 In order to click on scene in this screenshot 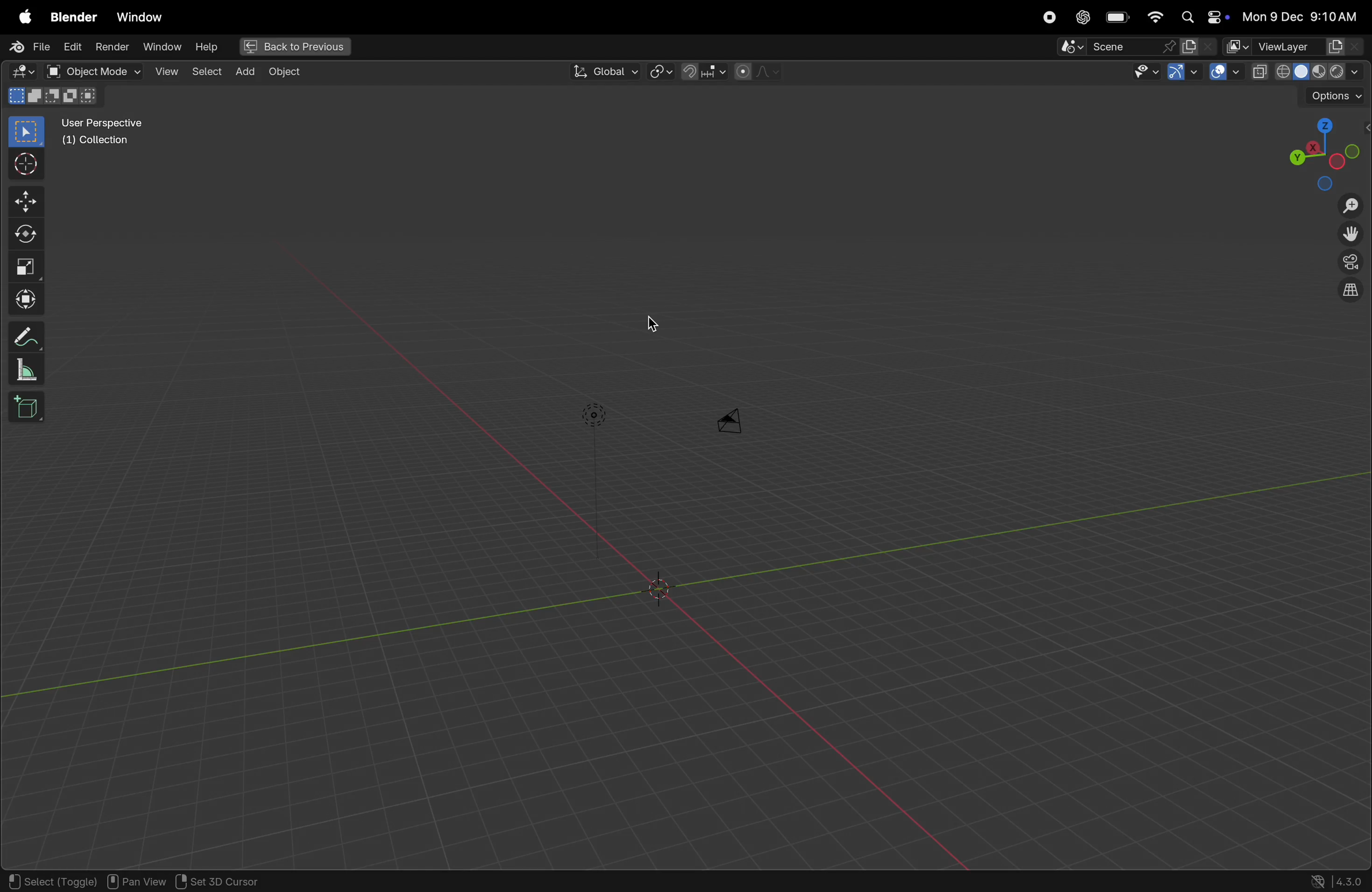, I will do `click(1118, 47)`.